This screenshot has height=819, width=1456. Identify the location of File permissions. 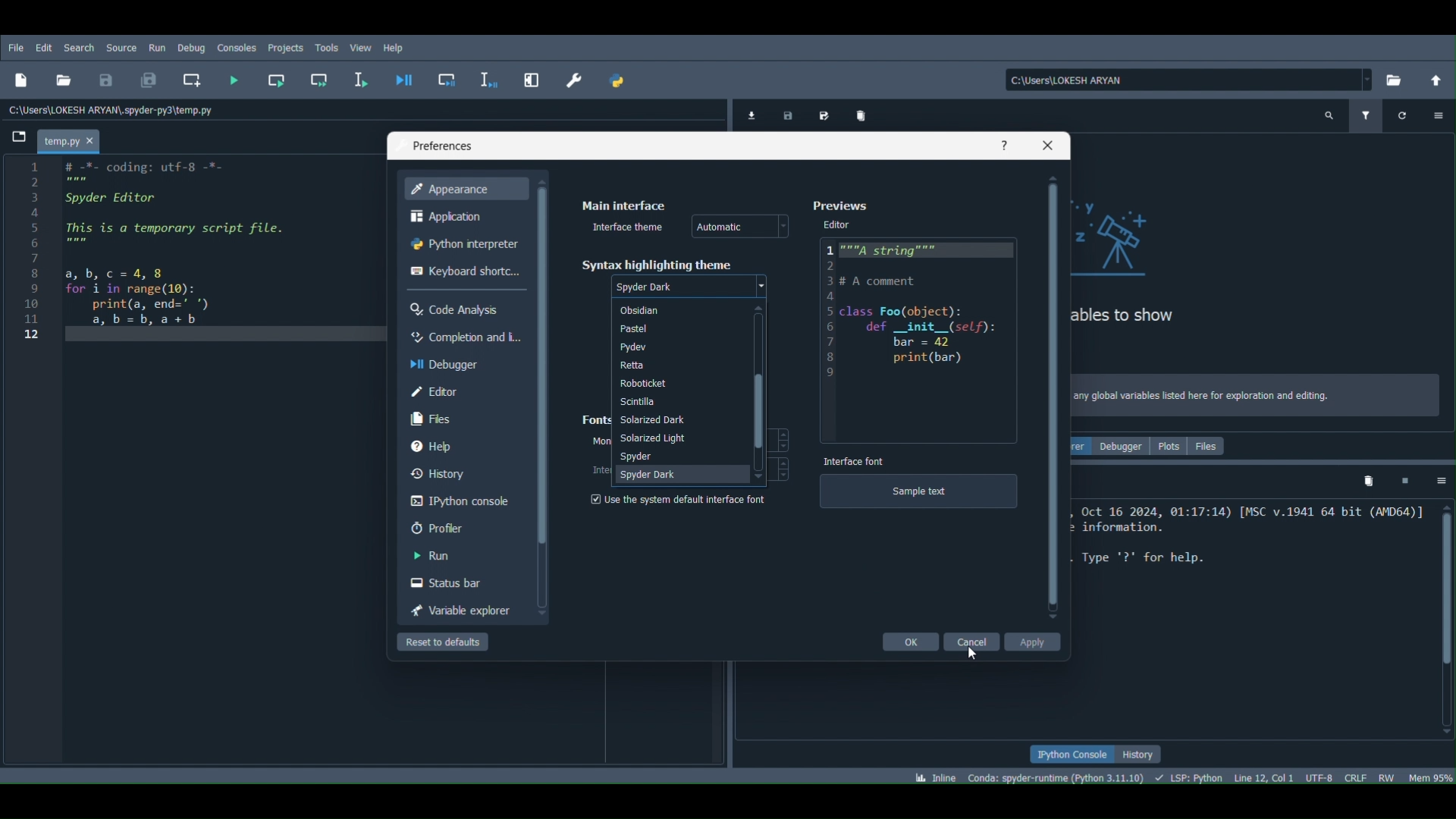
(1388, 777).